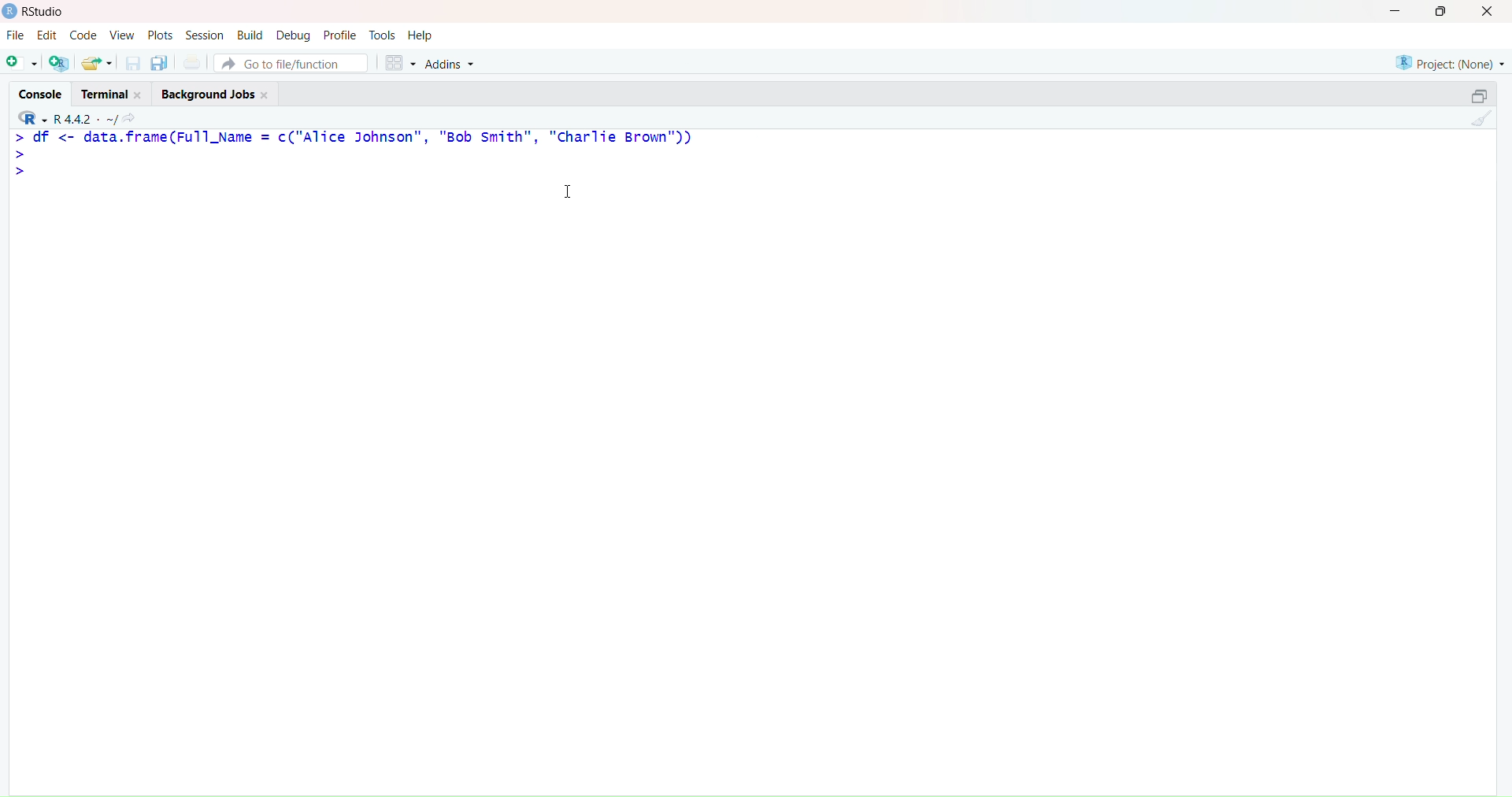 This screenshot has width=1512, height=797. What do you see at coordinates (220, 93) in the screenshot?
I see `Background Jobs` at bounding box center [220, 93].